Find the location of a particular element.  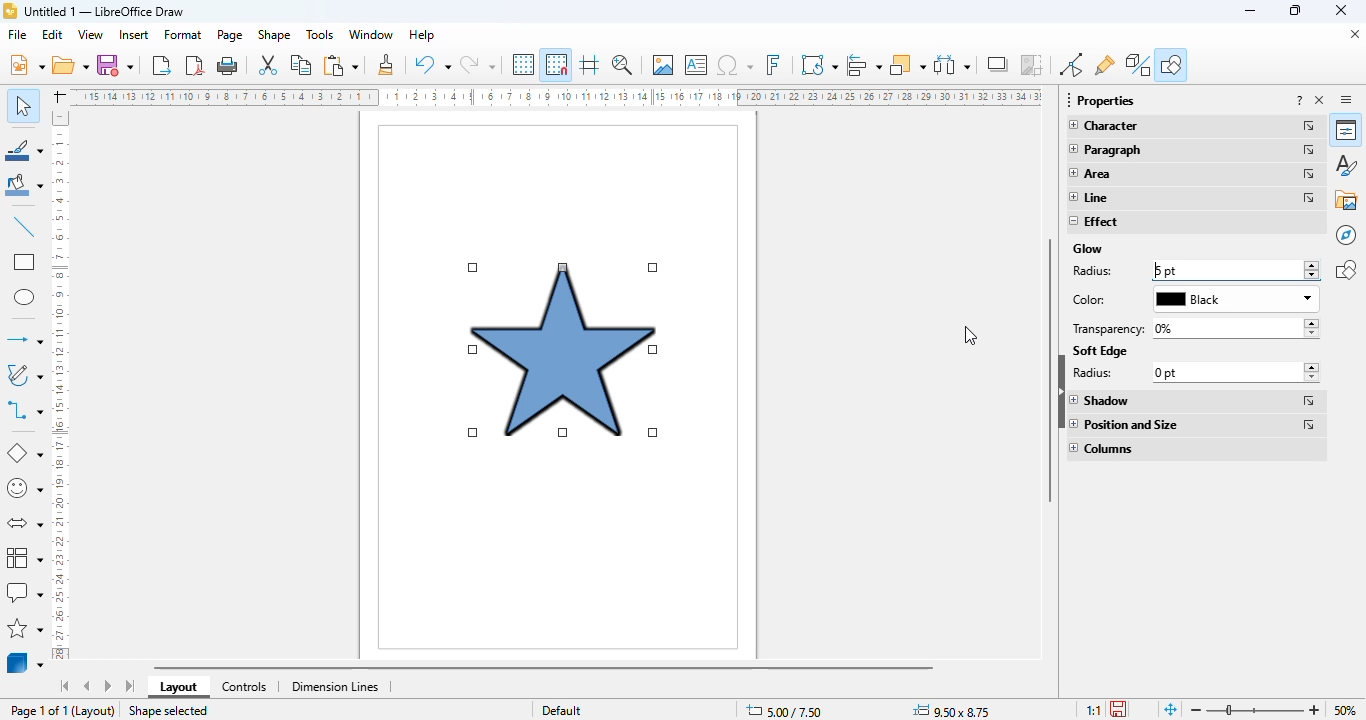

ellipse is located at coordinates (25, 297).